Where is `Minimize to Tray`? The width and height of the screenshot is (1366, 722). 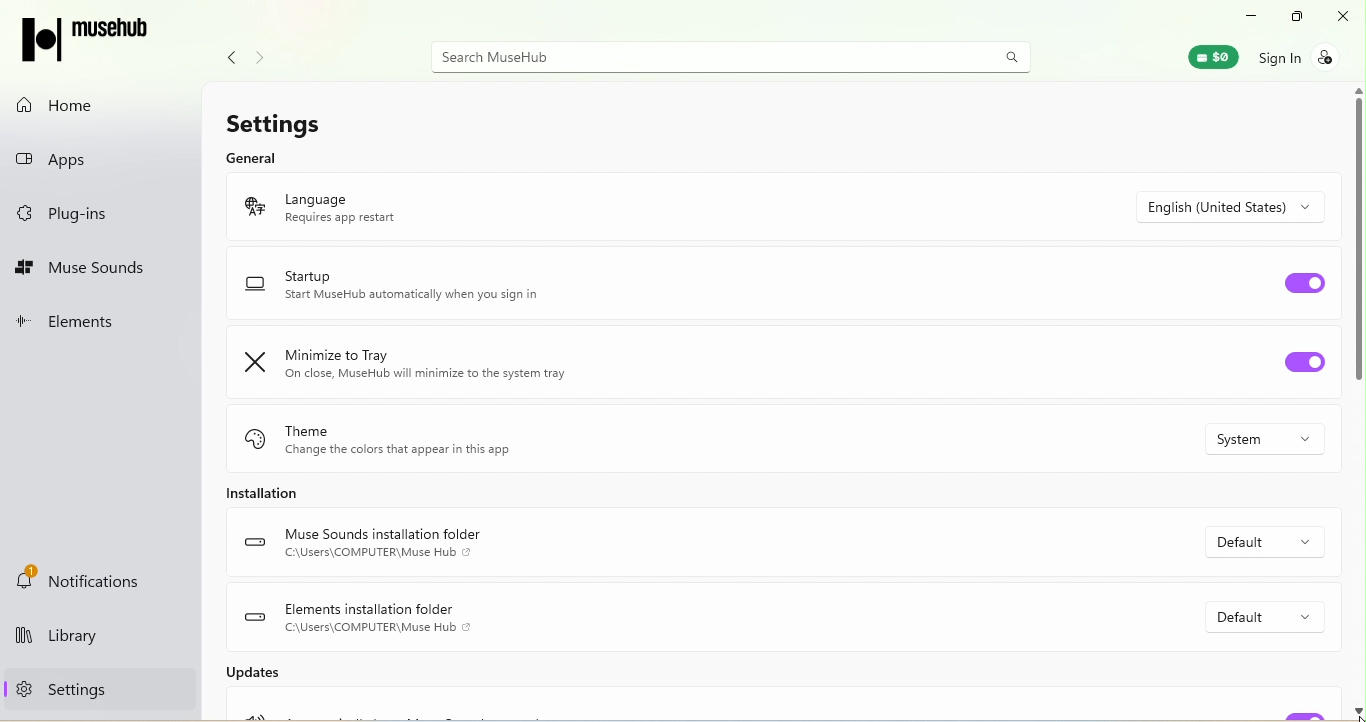 Minimize to Tray is located at coordinates (332, 355).